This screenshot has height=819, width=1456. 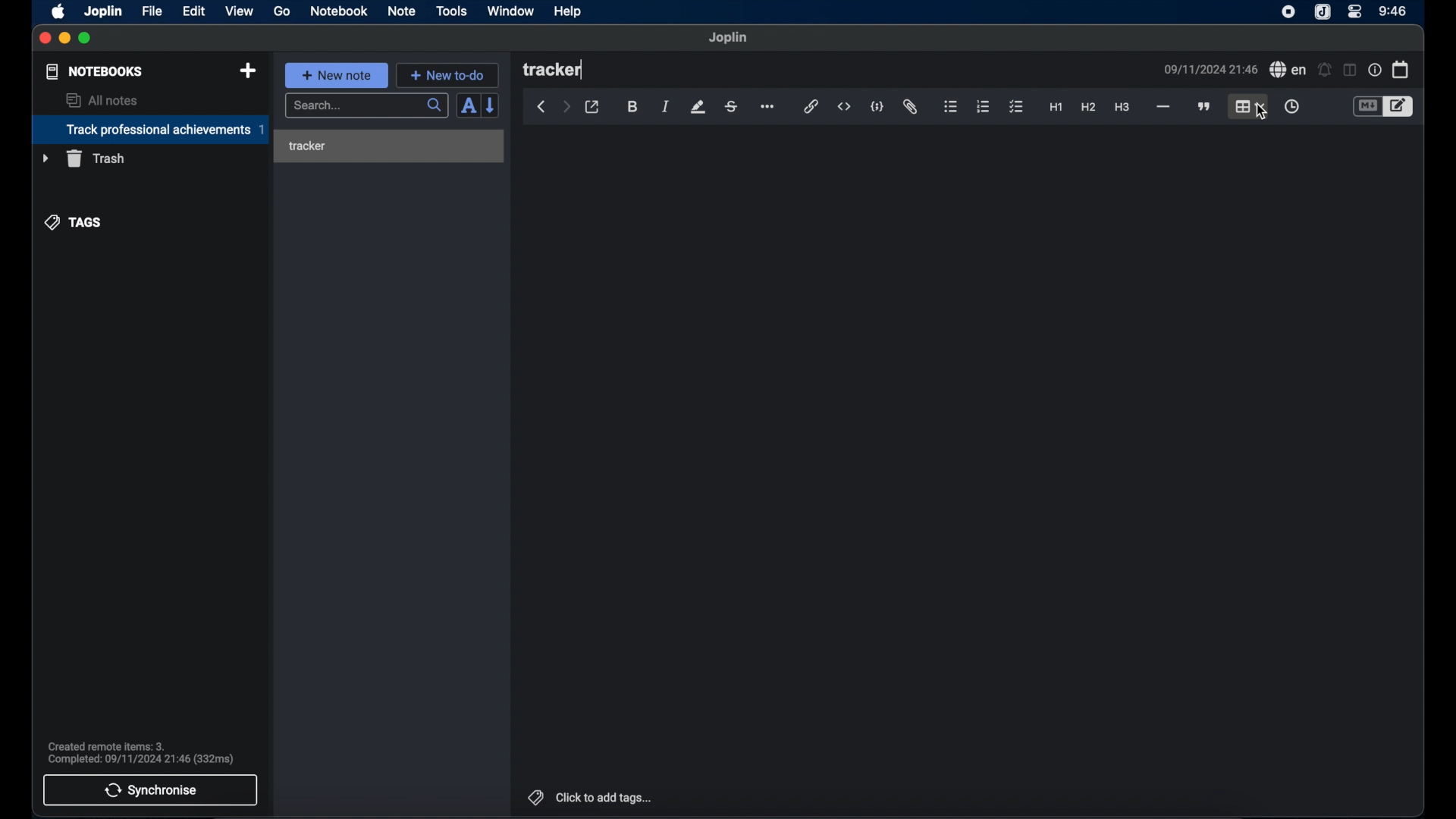 What do you see at coordinates (86, 39) in the screenshot?
I see `maximize` at bounding box center [86, 39].